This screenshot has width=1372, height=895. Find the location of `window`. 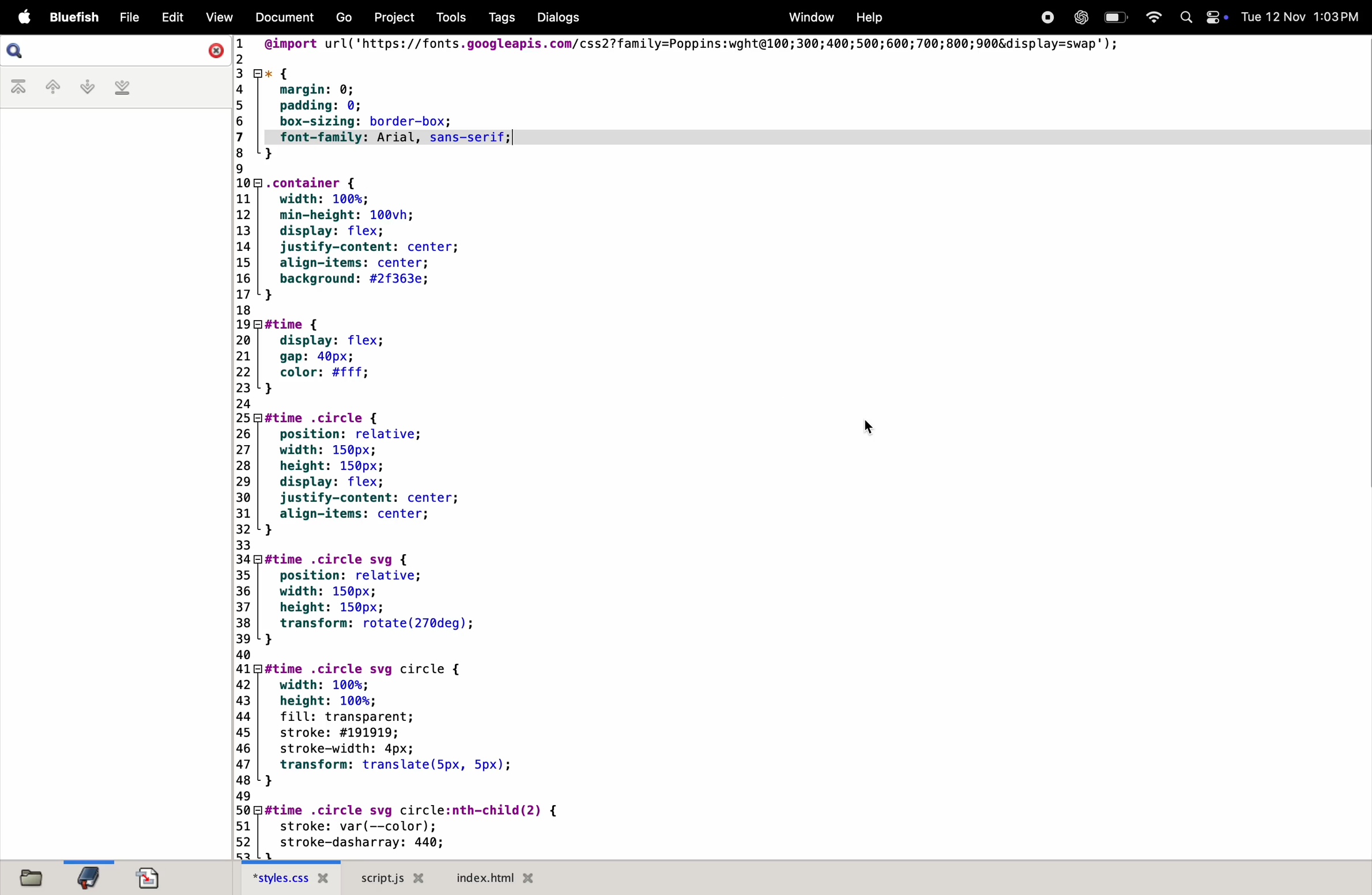

window is located at coordinates (808, 17).